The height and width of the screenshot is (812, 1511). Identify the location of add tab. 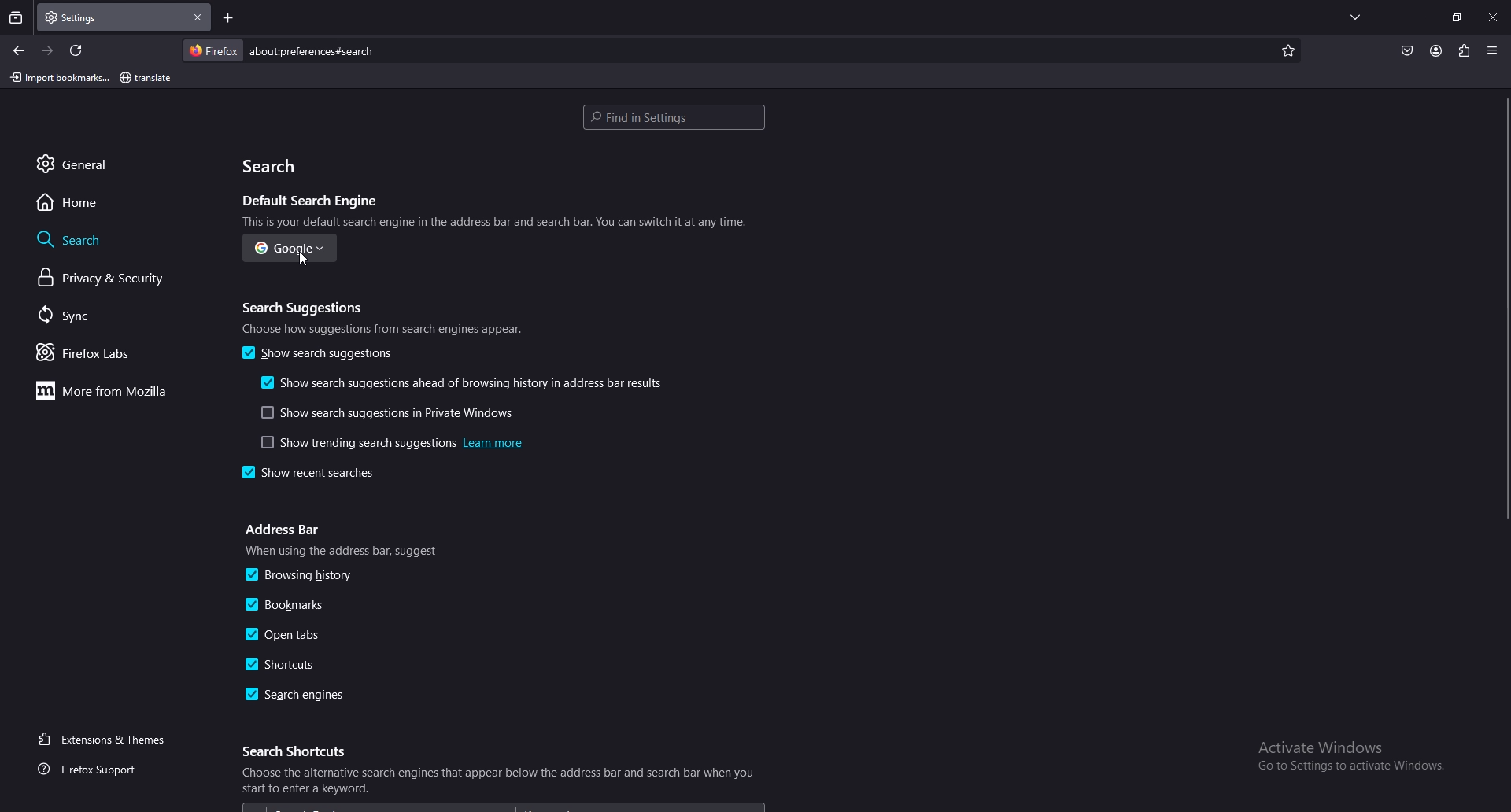
(229, 18).